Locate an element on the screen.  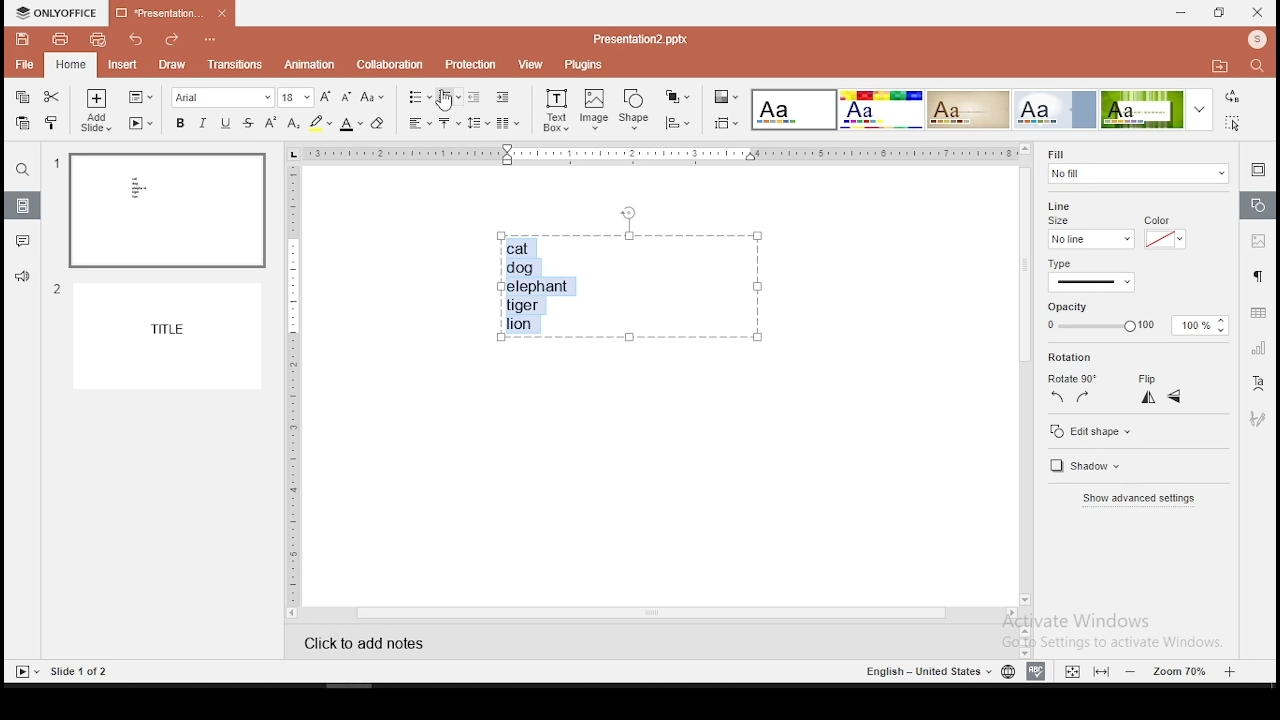
slide settings is located at coordinates (1257, 170).